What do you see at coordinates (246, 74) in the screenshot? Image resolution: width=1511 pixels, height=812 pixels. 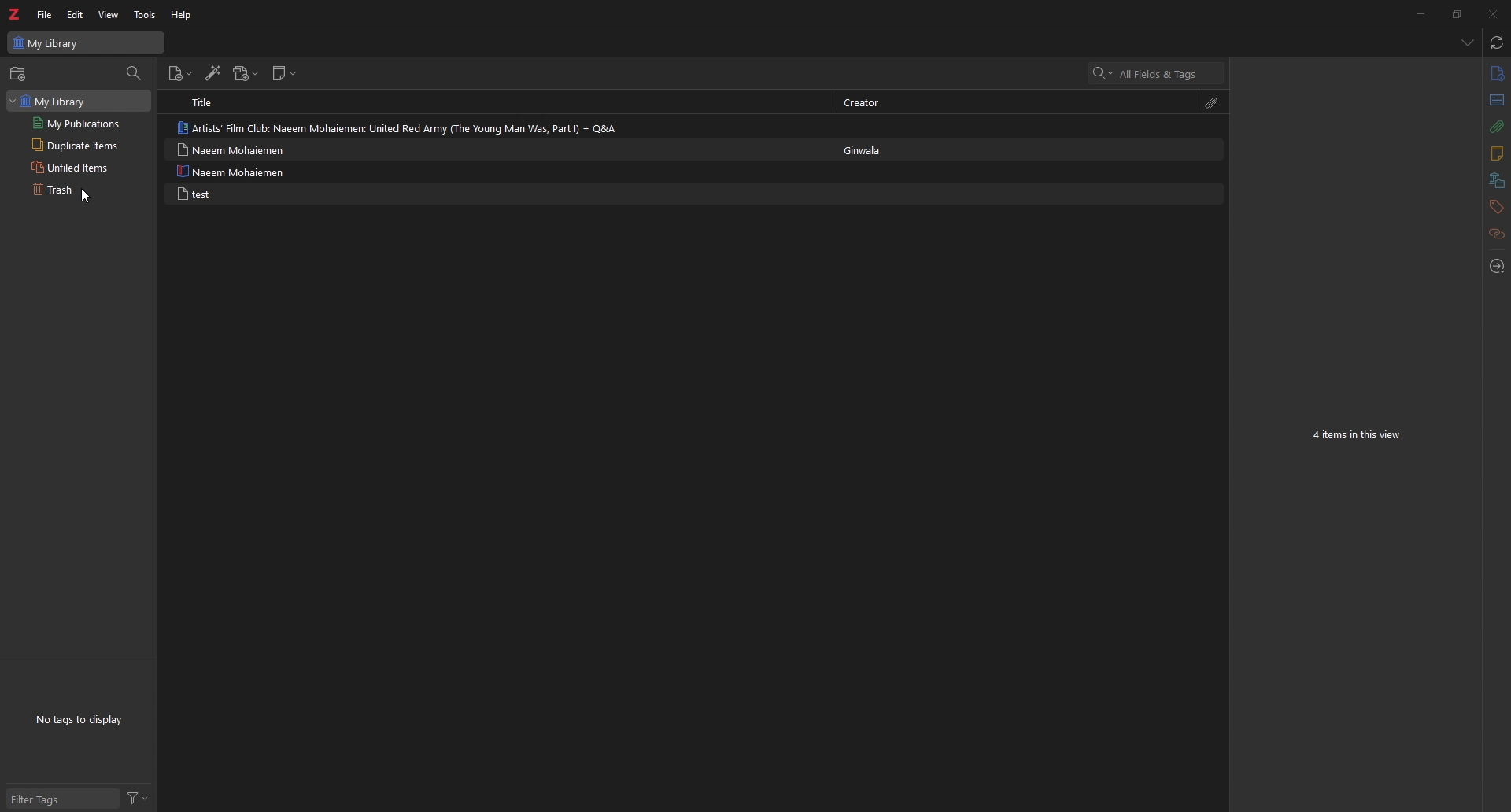 I see `add attachments` at bounding box center [246, 74].